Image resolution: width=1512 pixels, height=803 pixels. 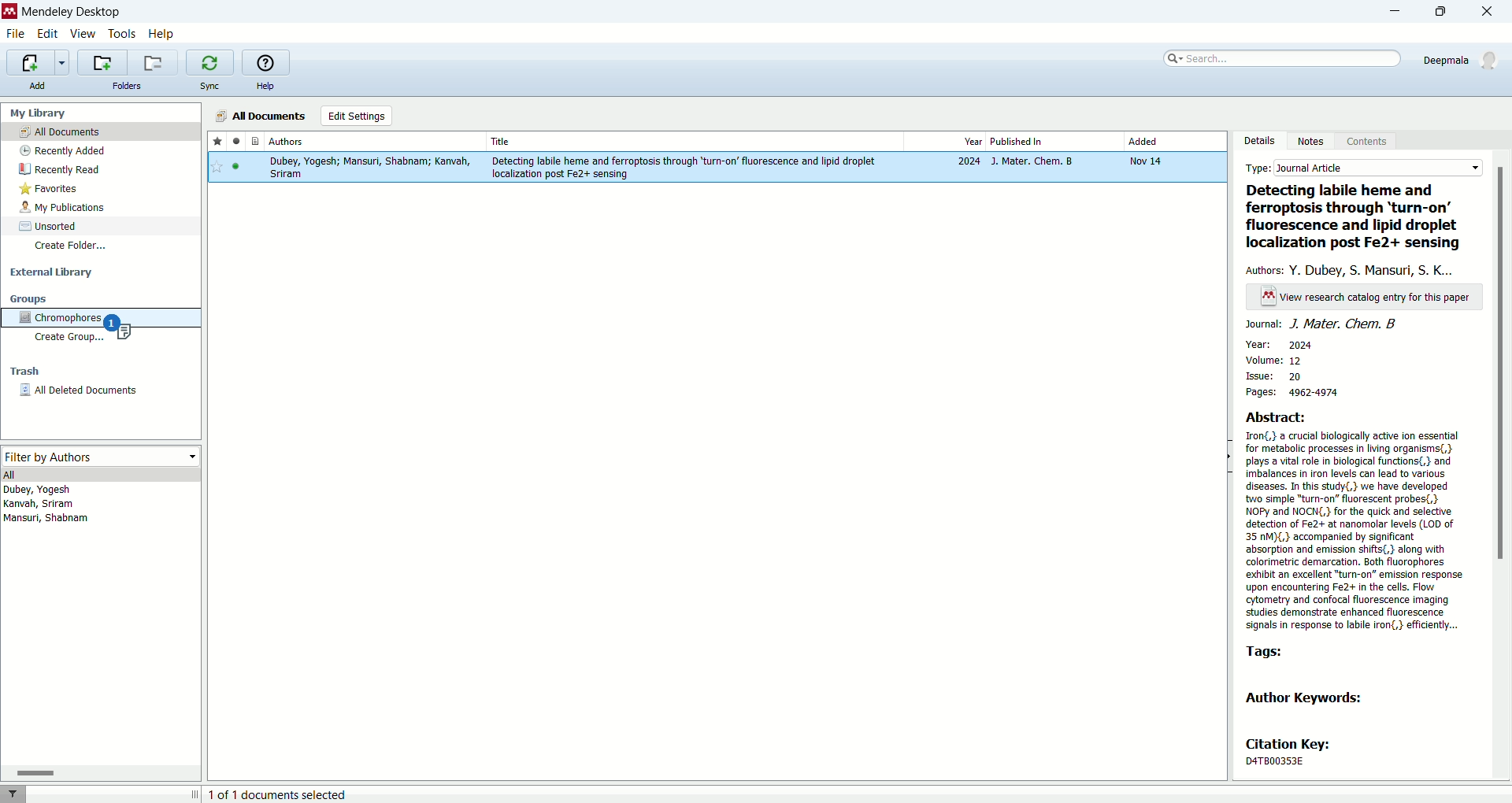 What do you see at coordinates (716, 168) in the screenshot?
I see `research paper` at bounding box center [716, 168].